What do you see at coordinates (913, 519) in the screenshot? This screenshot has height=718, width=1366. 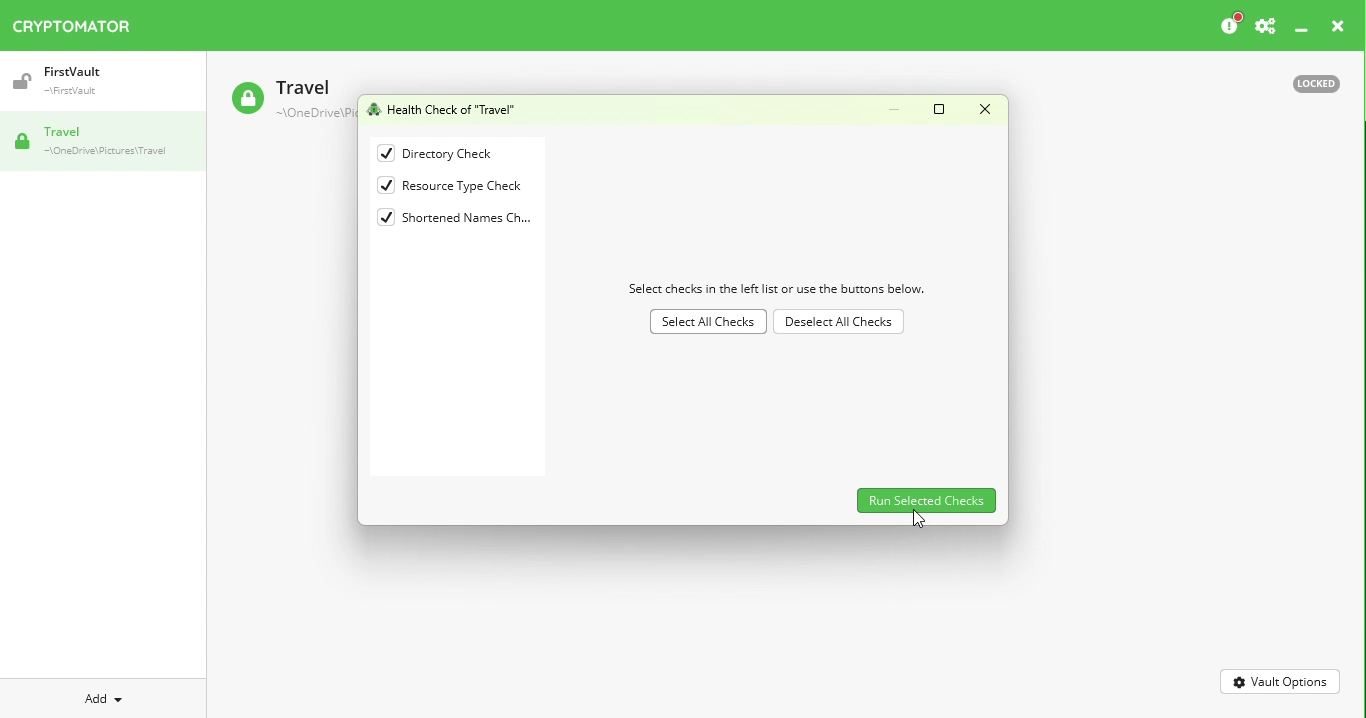 I see `Cursor` at bounding box center [913, 519].